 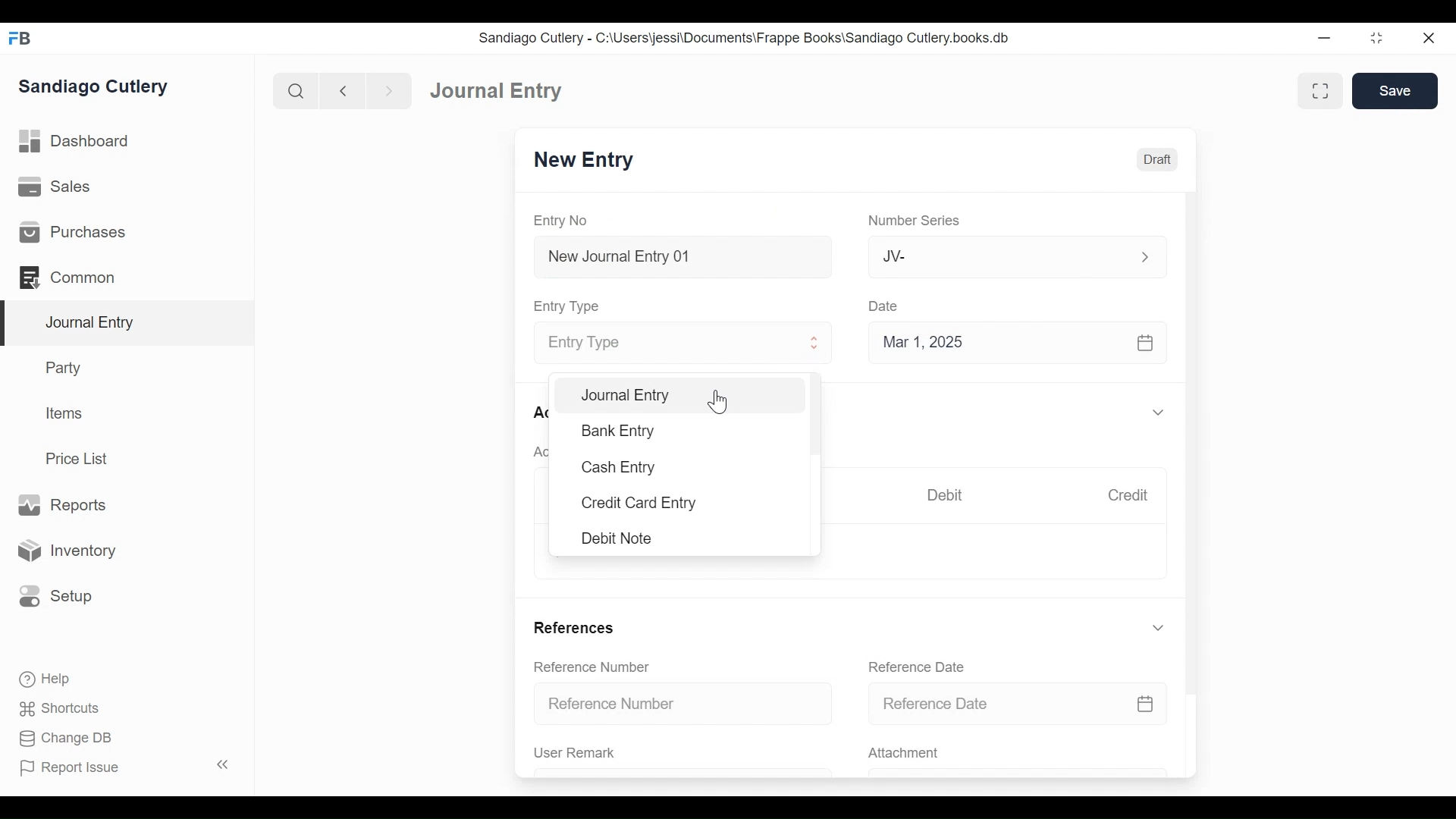 What do you see at coordinates (1018, 754) in the screenshot?
I see `Attachment` at bounding box center [1018, 754].